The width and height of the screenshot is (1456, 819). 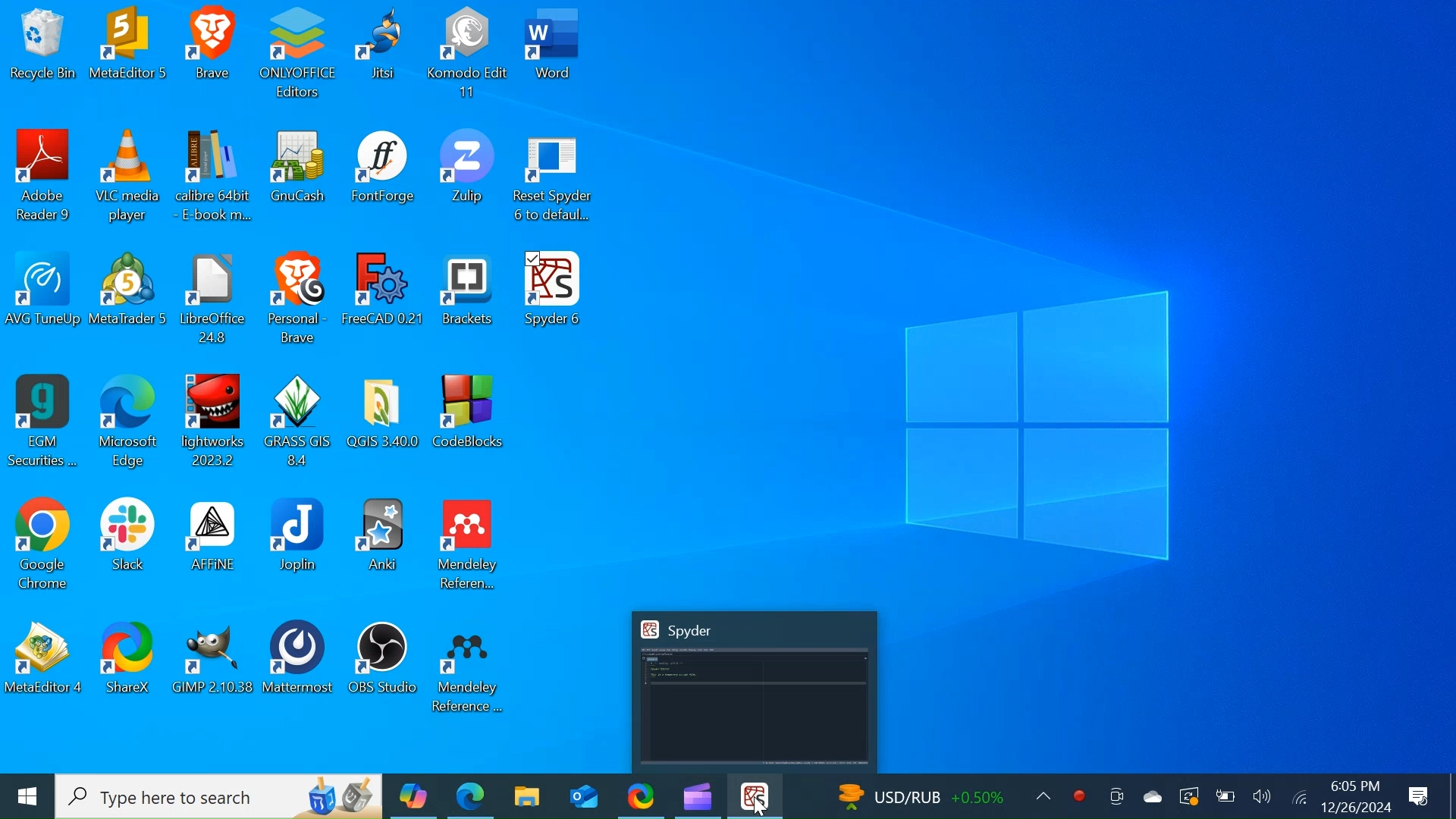 What do you see at coordinates (128, 299) in the screenshot?
I see `Meta Desktop Icon` at bounding box center [128, 299].